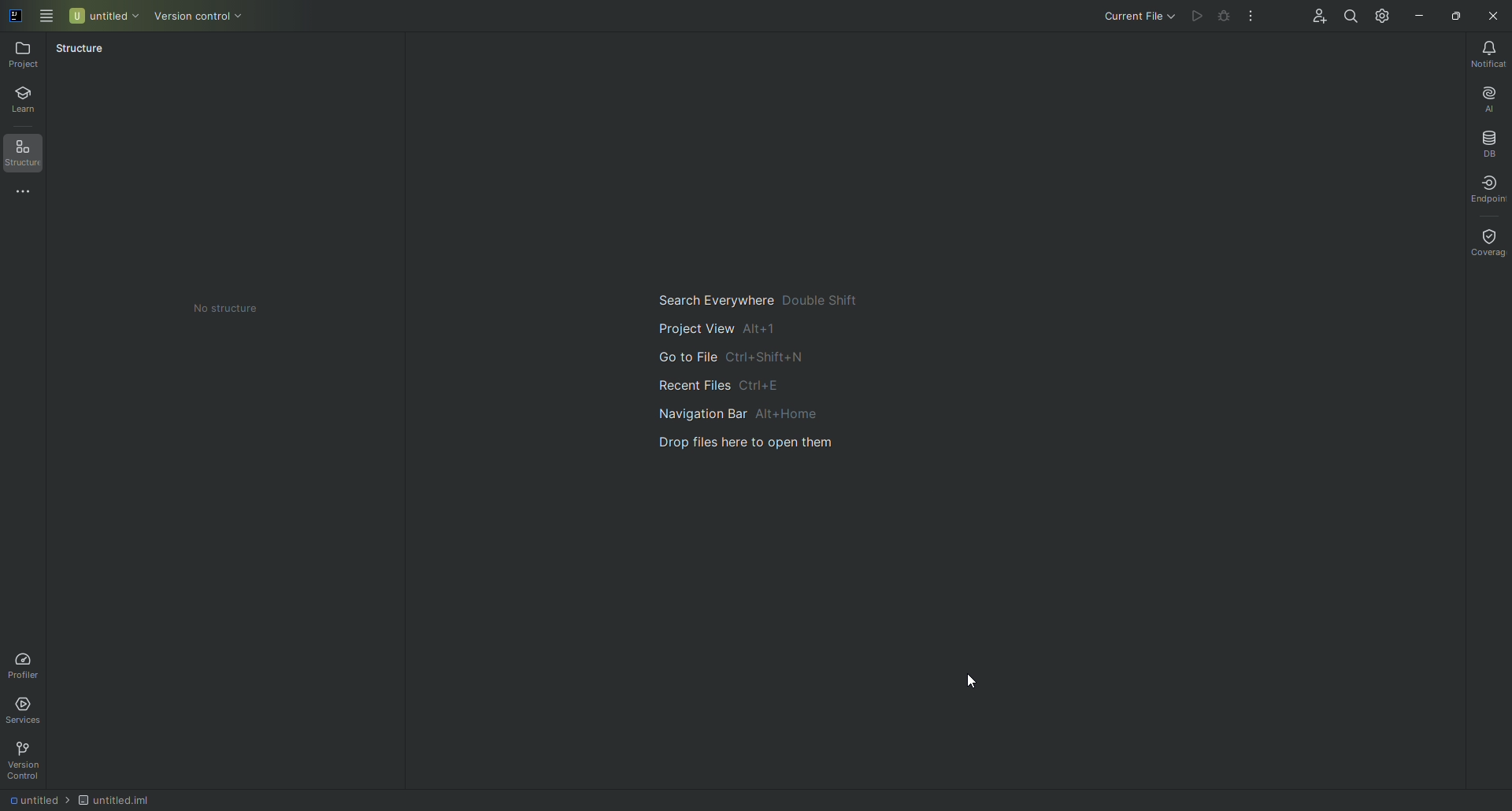 This screenshot has height=811, width=1512. Describe the element at coordinates (107, 17) in the screenshot. I see `Untitled` at that location.